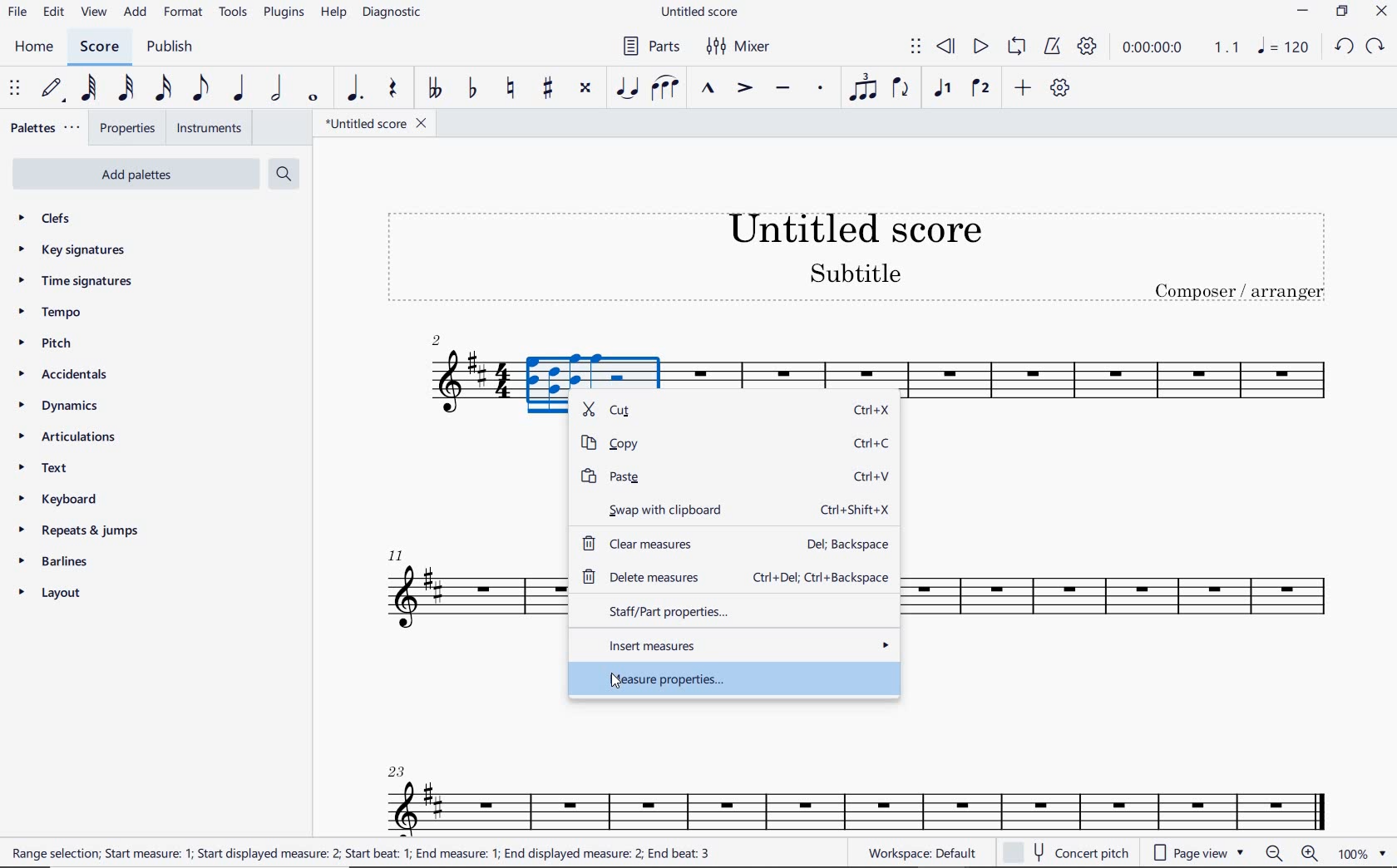 This screenshot has height=868, width=1397. I want to click on 64TH NOTE, so click(91, 89).